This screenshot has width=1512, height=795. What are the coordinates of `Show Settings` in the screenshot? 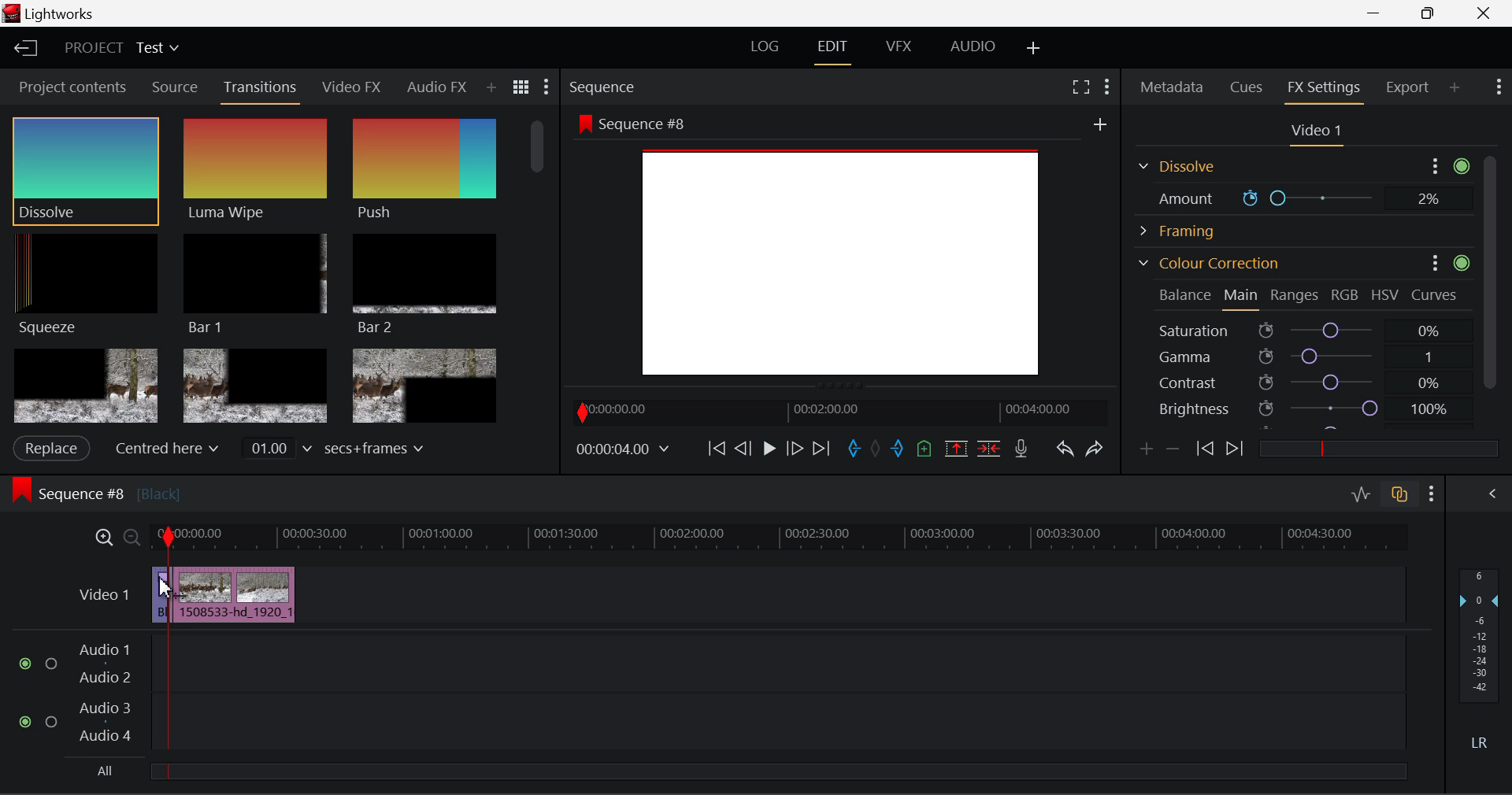 It's located at (1497, 85).